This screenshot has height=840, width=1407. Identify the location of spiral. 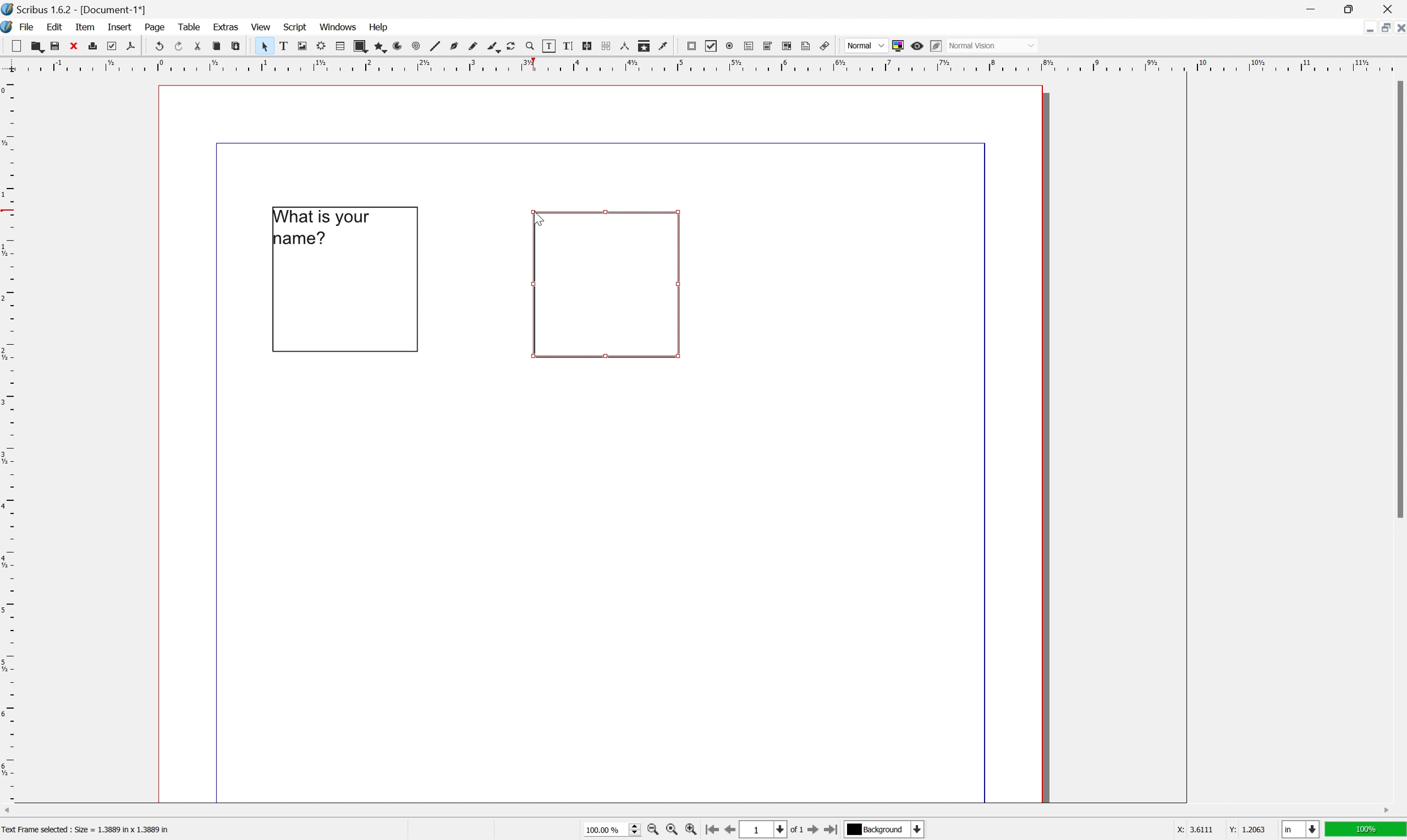
(416, 47).